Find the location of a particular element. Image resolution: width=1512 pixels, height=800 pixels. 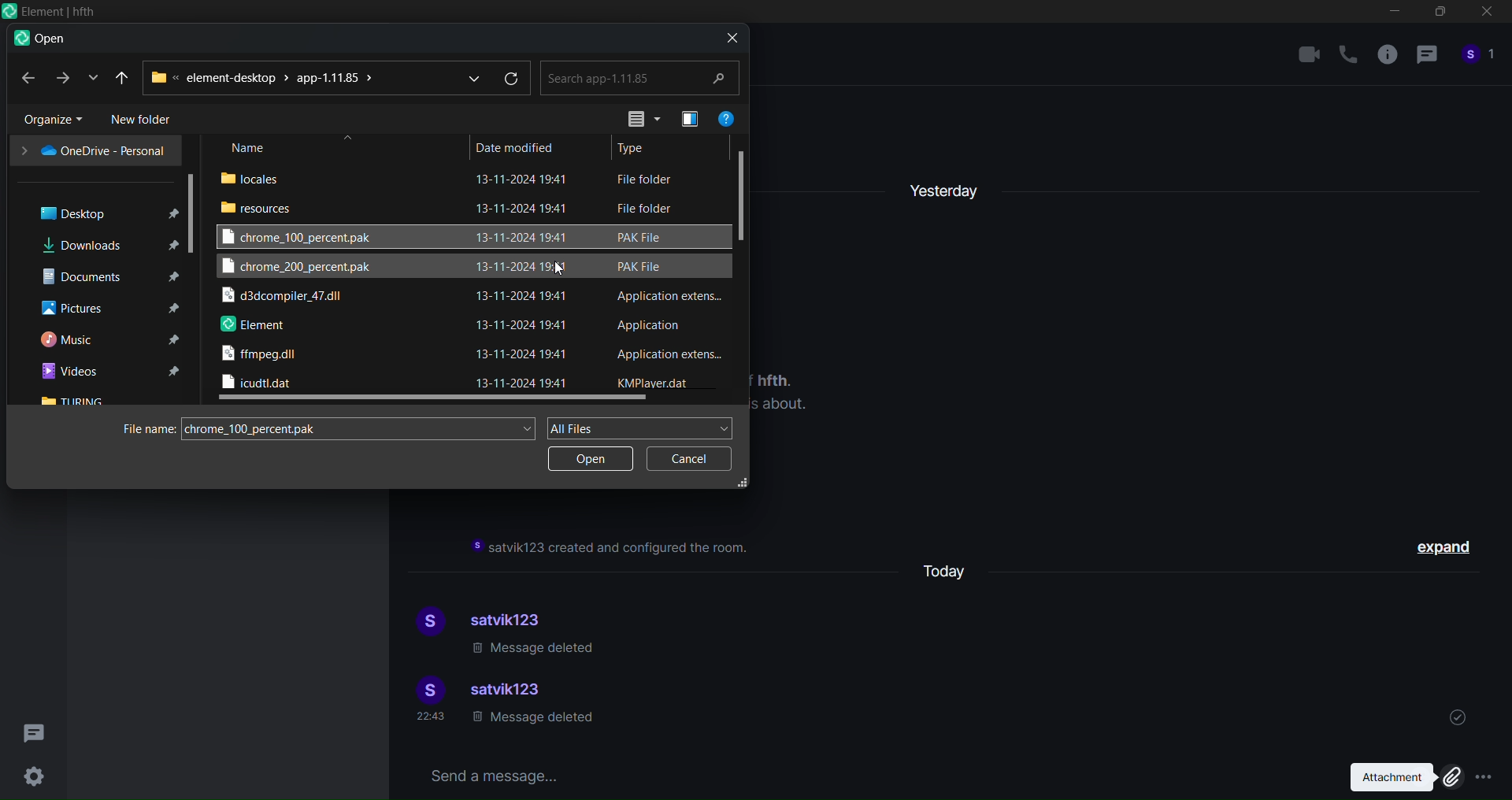

message deleted is located at coordinates (532, 721).